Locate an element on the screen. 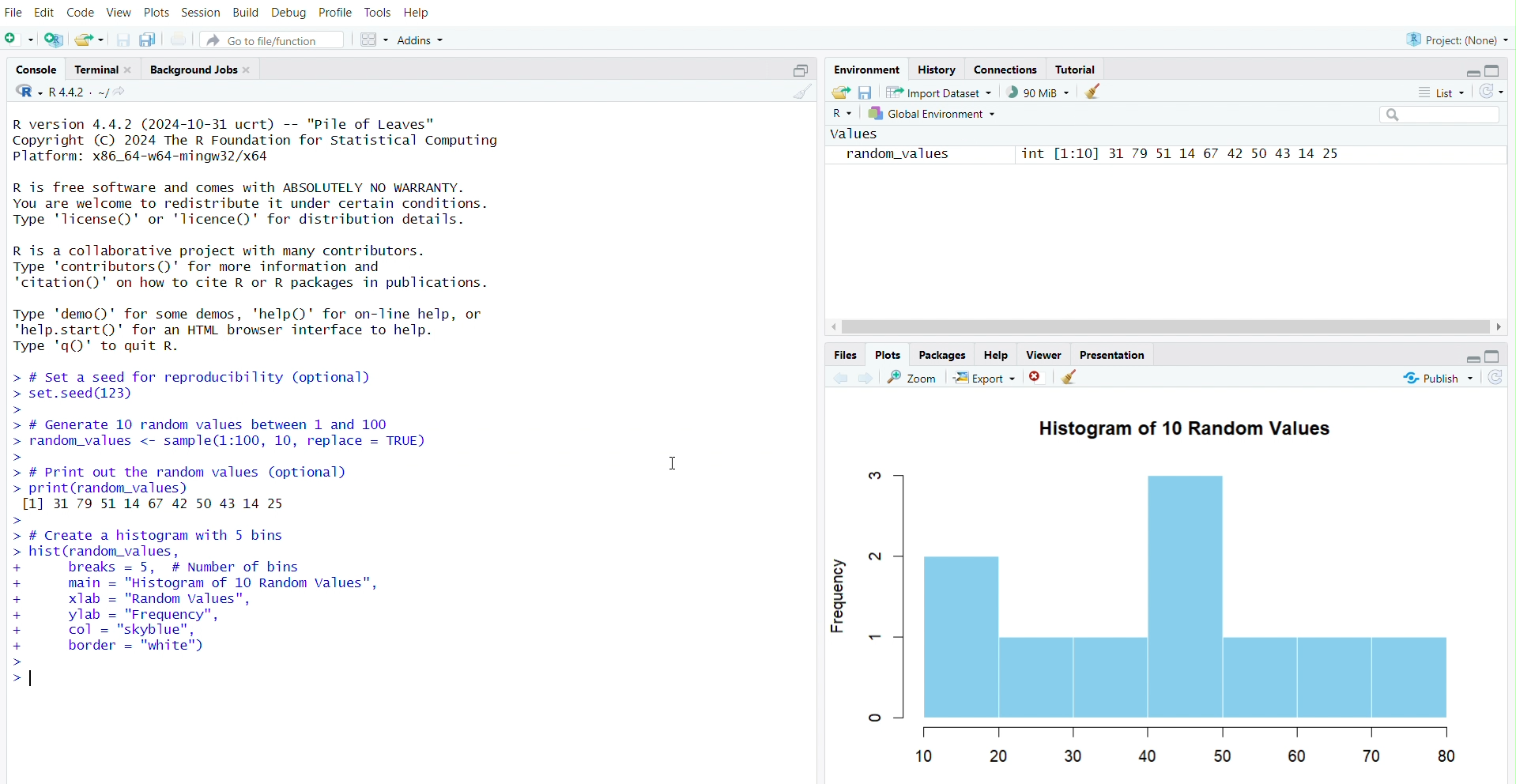 The width and height of the screenshot is (1516, 784). save workspace as is located at coordinates (866, 92).